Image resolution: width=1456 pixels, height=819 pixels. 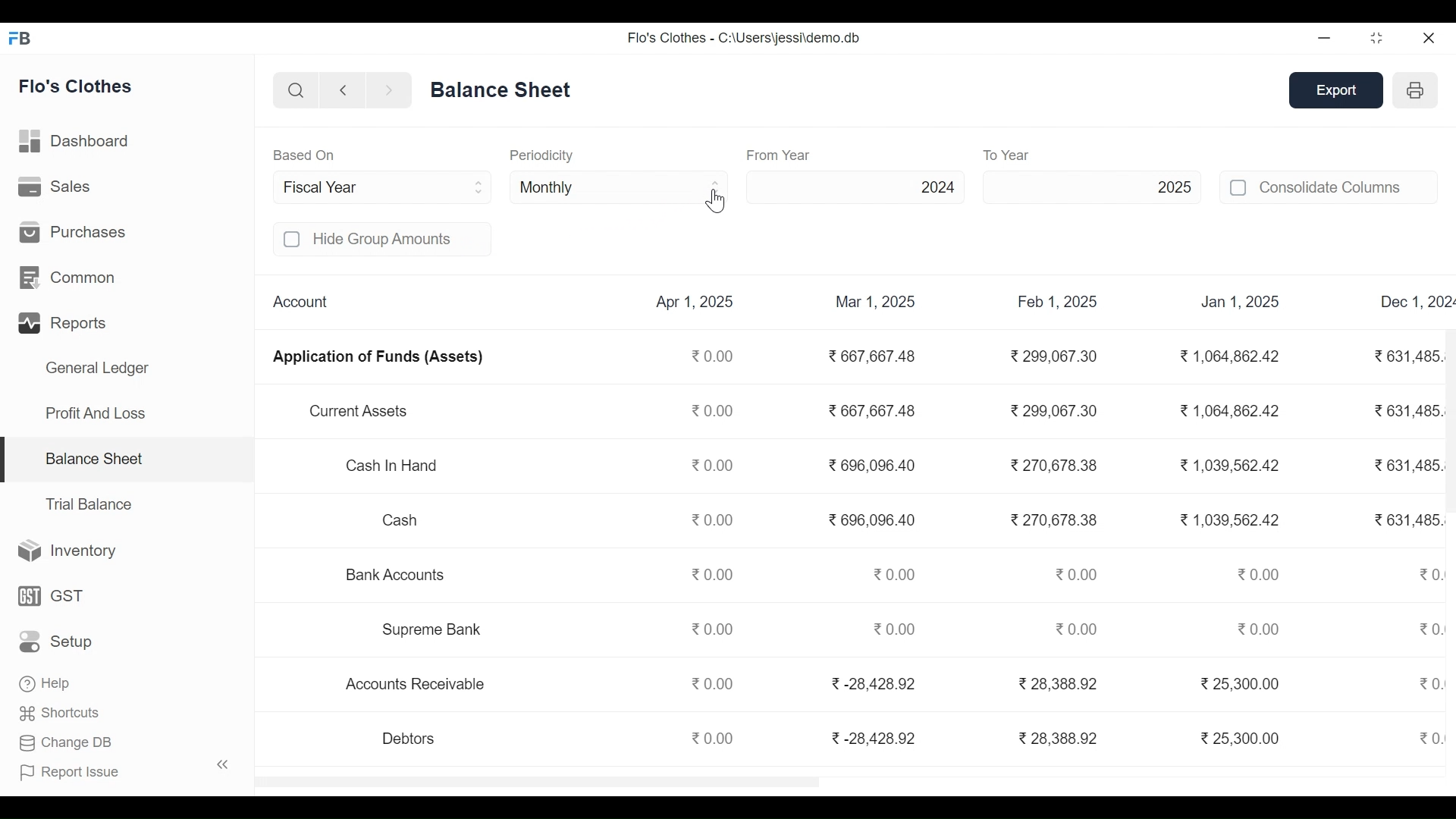 What do you see at coordinates (89, 504) in the screenshot?
I see `Trial Balance` at bounding box center [89, 504].